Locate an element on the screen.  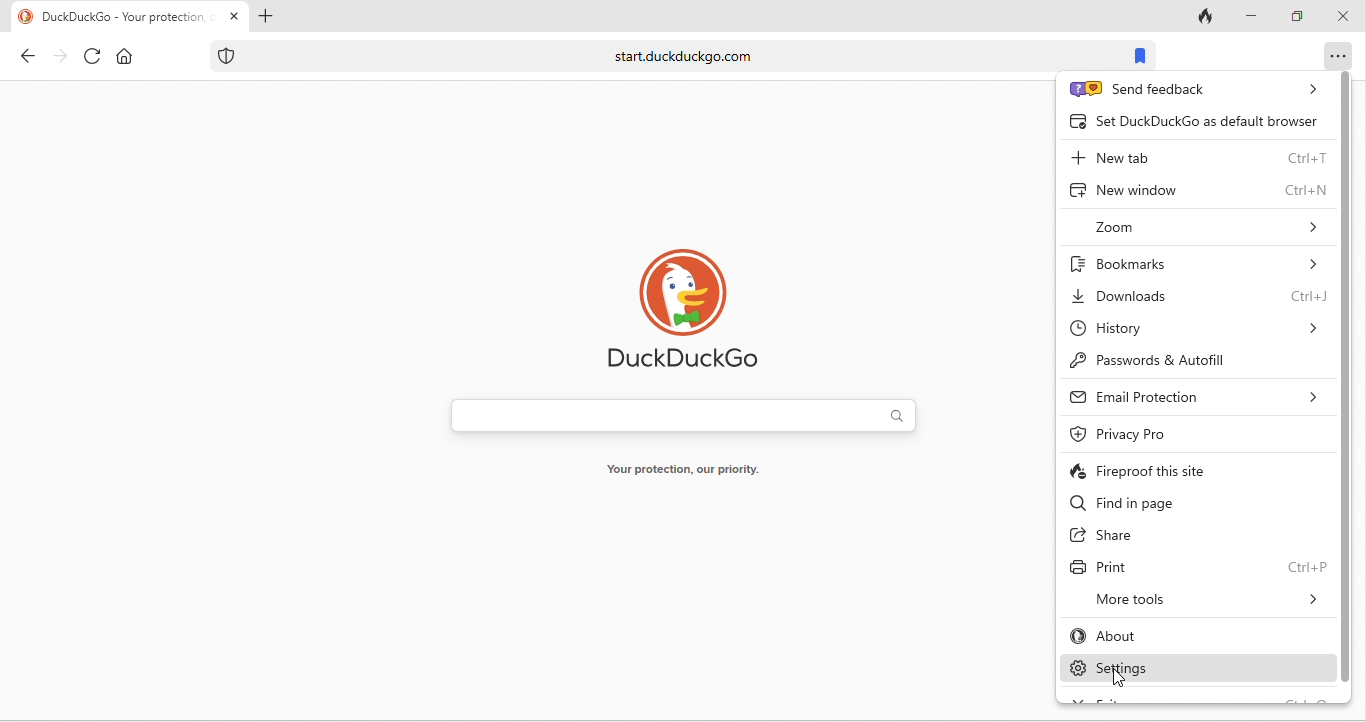
home is located at coordinates (129, 56).